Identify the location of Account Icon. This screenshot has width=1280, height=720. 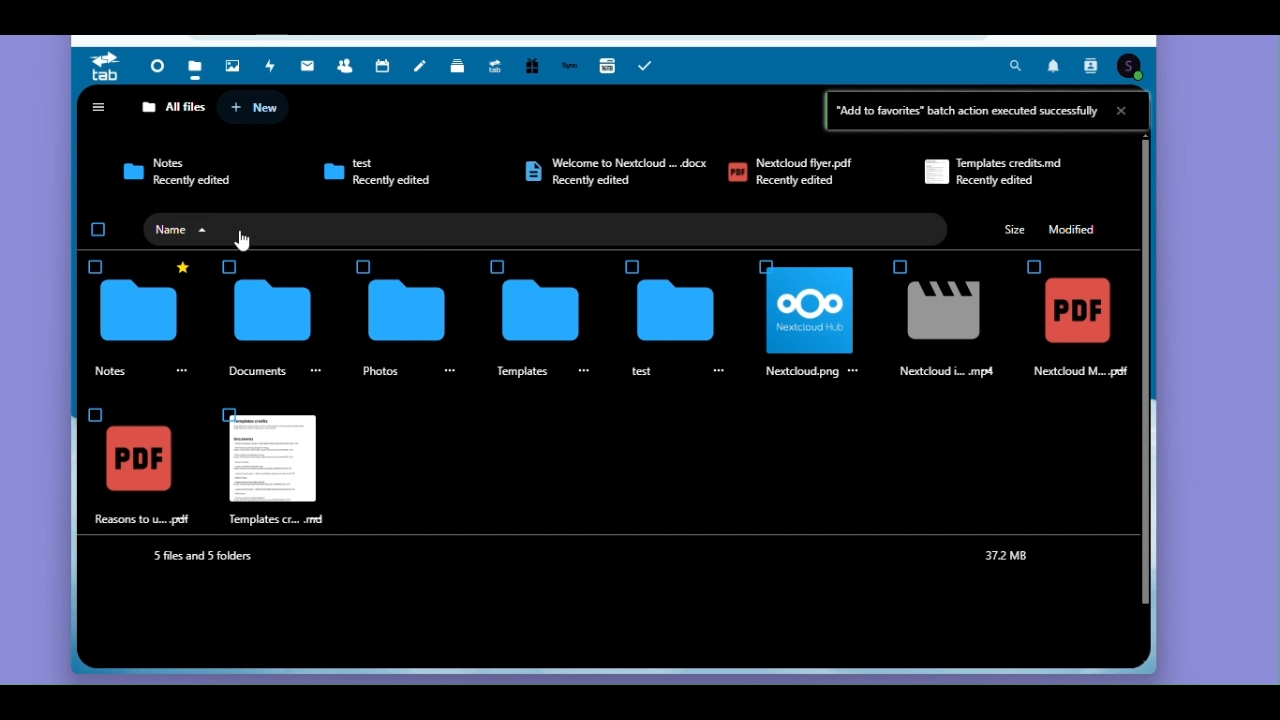
(1131, 67).